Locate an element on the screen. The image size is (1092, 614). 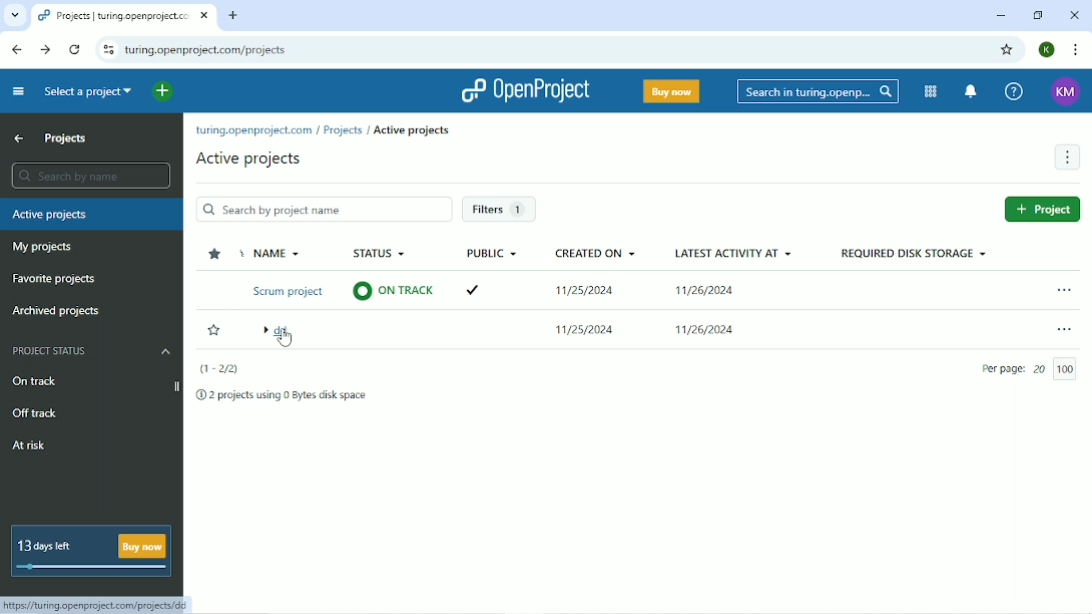
Public is located at coordinates (491, 254).